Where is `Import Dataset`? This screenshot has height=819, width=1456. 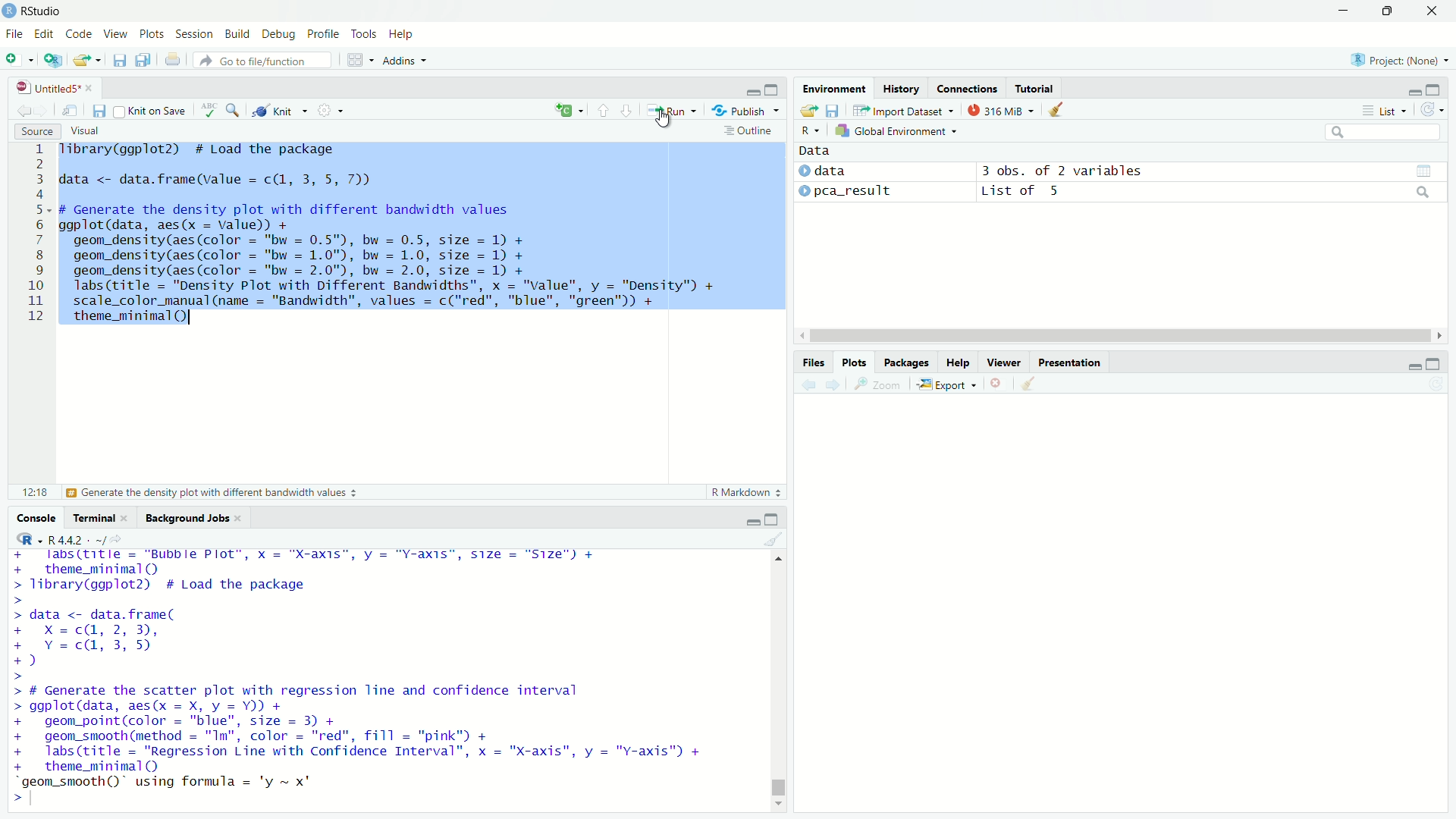 Import Dataset is located at coordinates (905, 110).